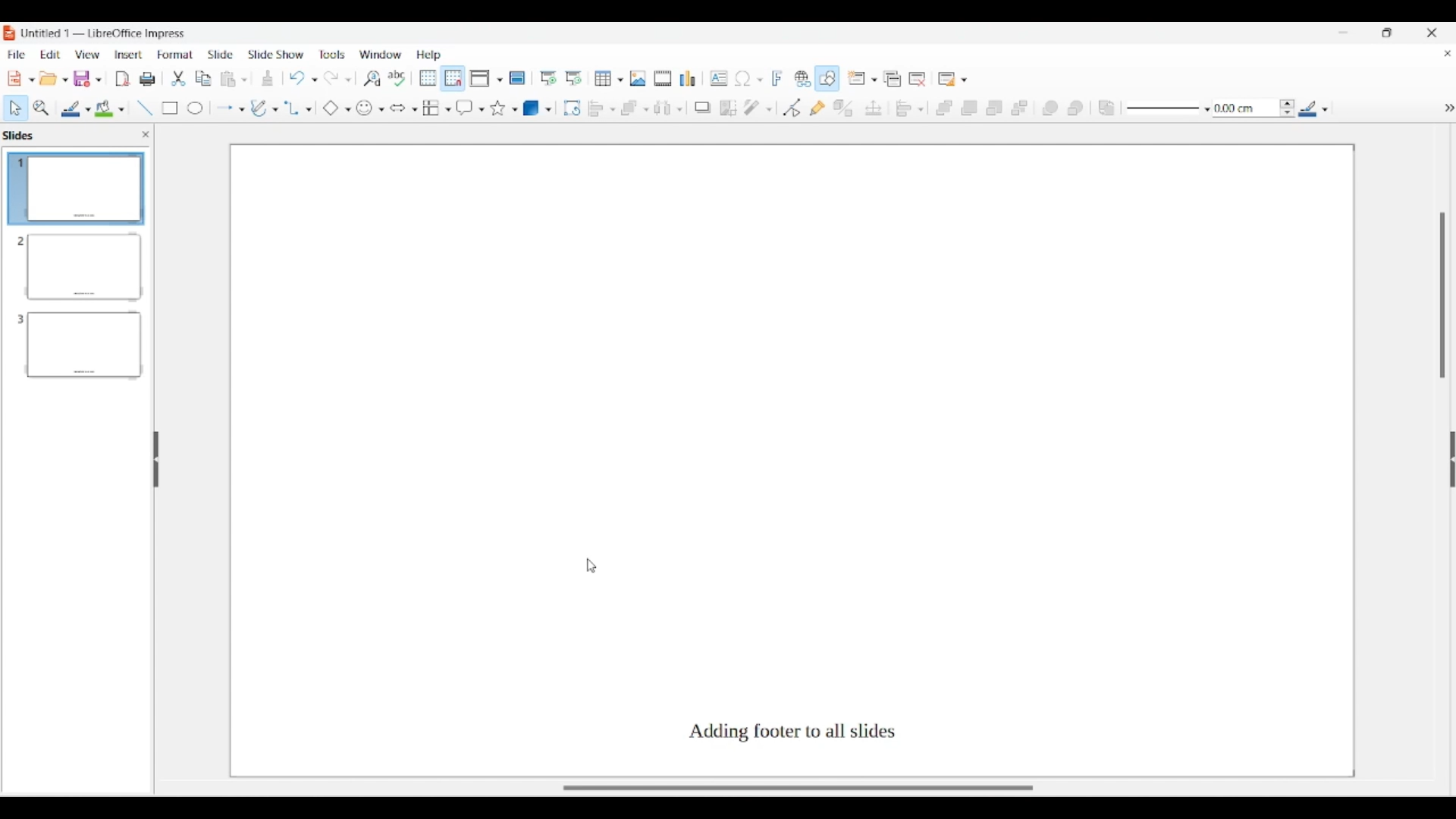 Image resolution: width=1456 pixels, height=819 pixels. What do you see at coordinates (702, 108) in the screenshot?
I see `Shadow` at bounding box center [702, 108].